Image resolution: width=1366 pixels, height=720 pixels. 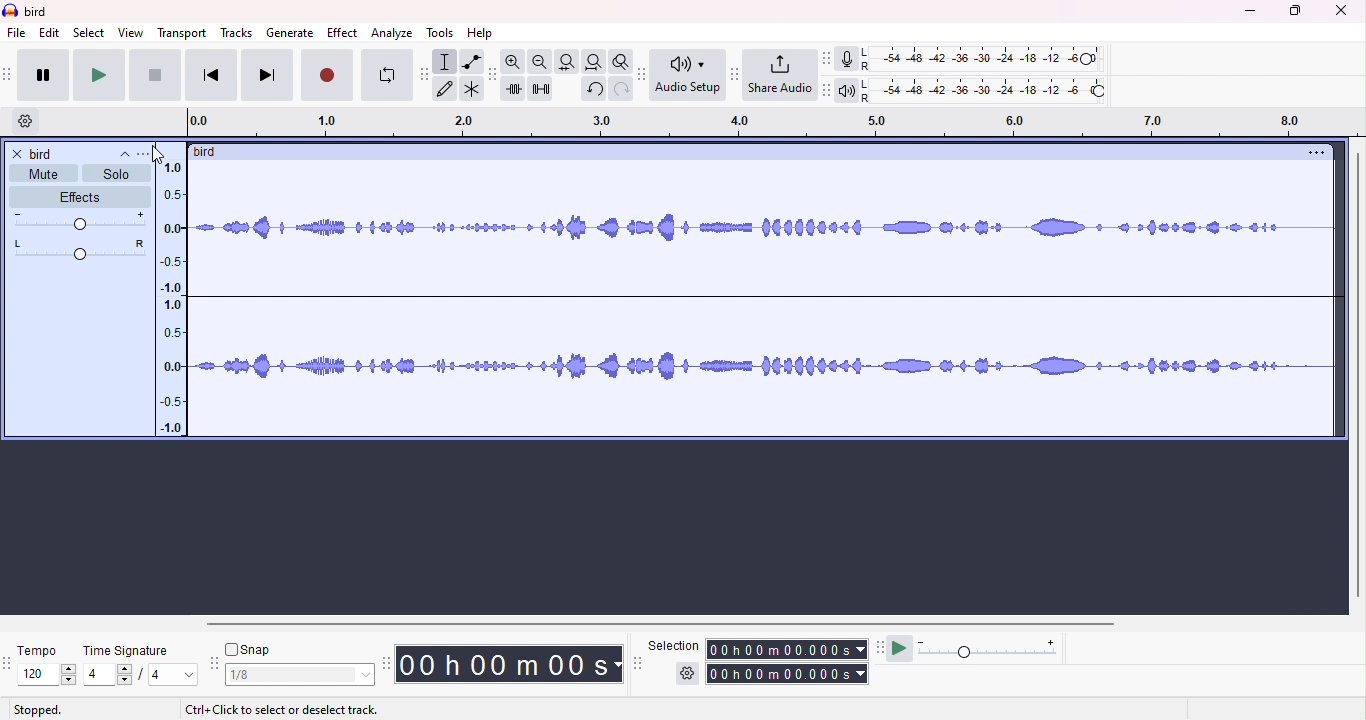 What do you see at coordinates (749, 623) in the screenshot?
I see `horizontal scroll bar` at bounding box center [749, 623].